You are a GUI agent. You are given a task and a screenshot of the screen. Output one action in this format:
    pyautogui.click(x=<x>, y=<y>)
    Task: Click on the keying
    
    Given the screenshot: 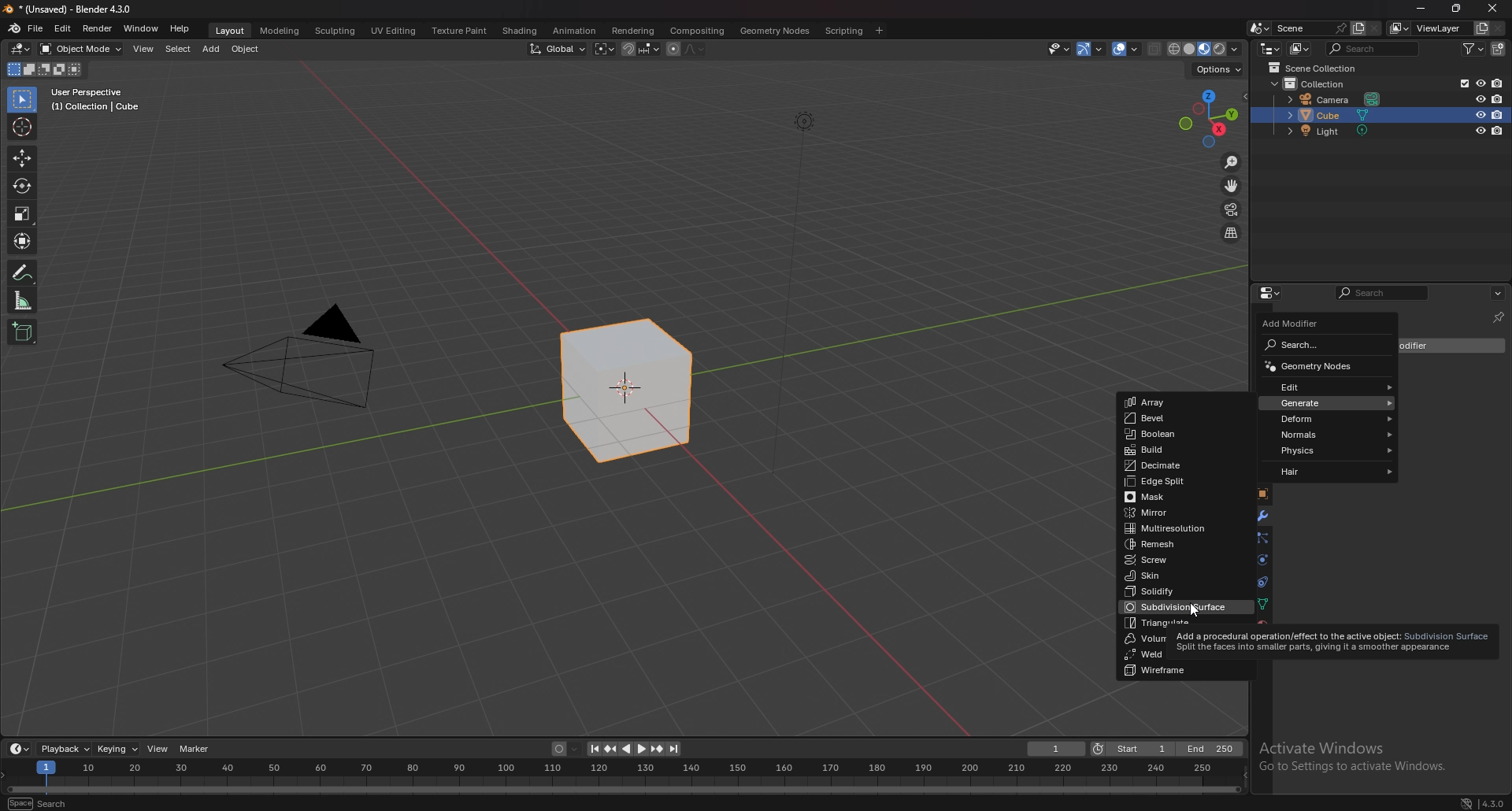 What is the action you would take?
    pyautogui.click(x=117, y=749)
    